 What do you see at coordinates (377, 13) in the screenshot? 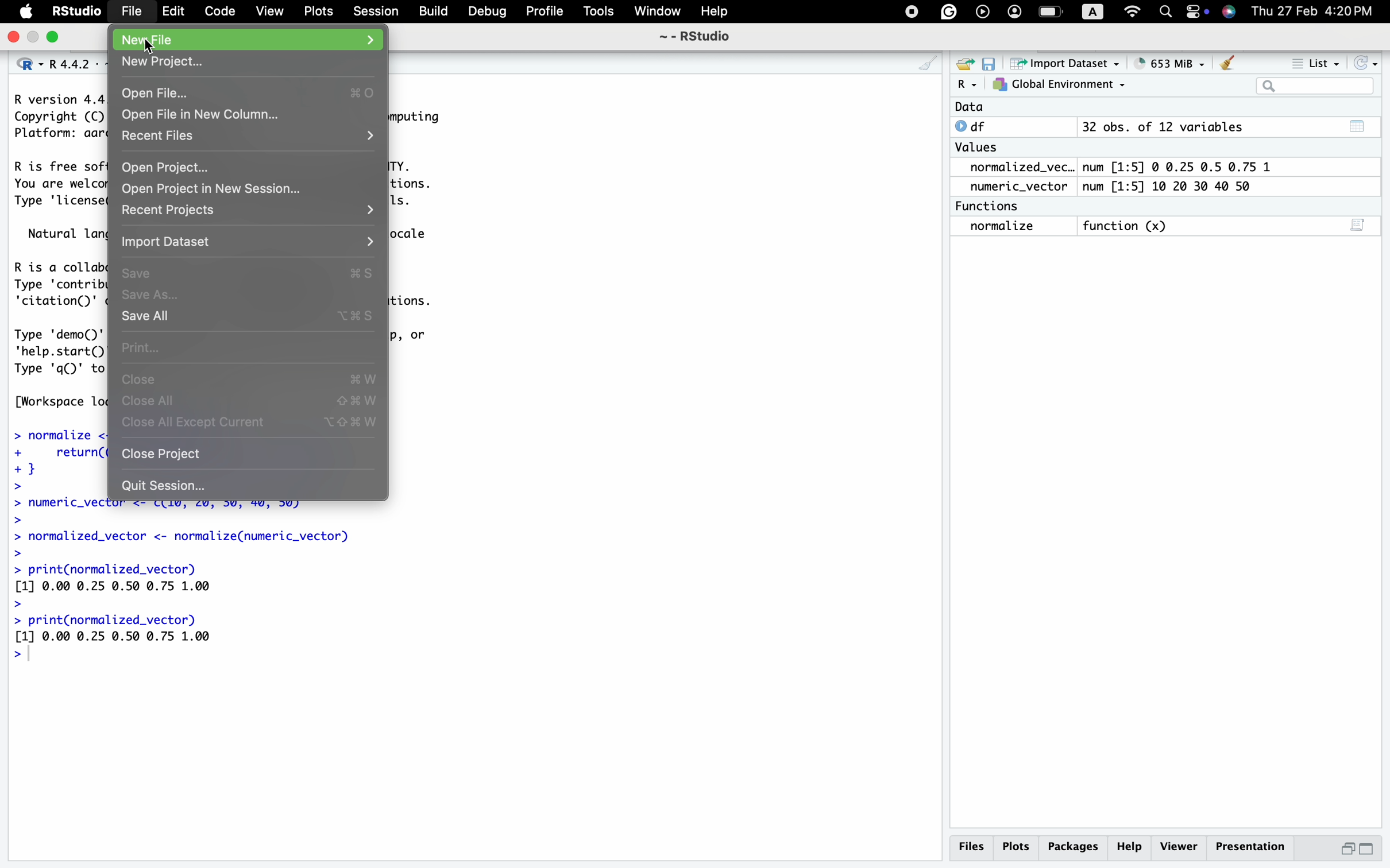
I see `Sessions` at bounding box center [377, 13].